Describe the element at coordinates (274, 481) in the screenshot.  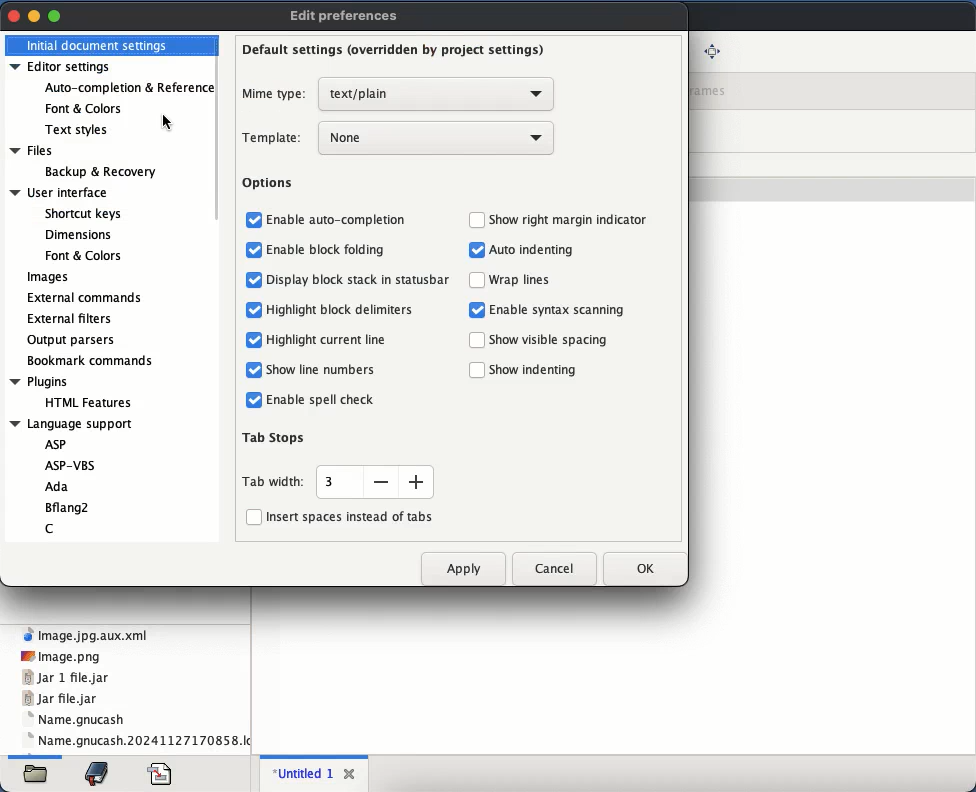
I see `tab width` at that location.